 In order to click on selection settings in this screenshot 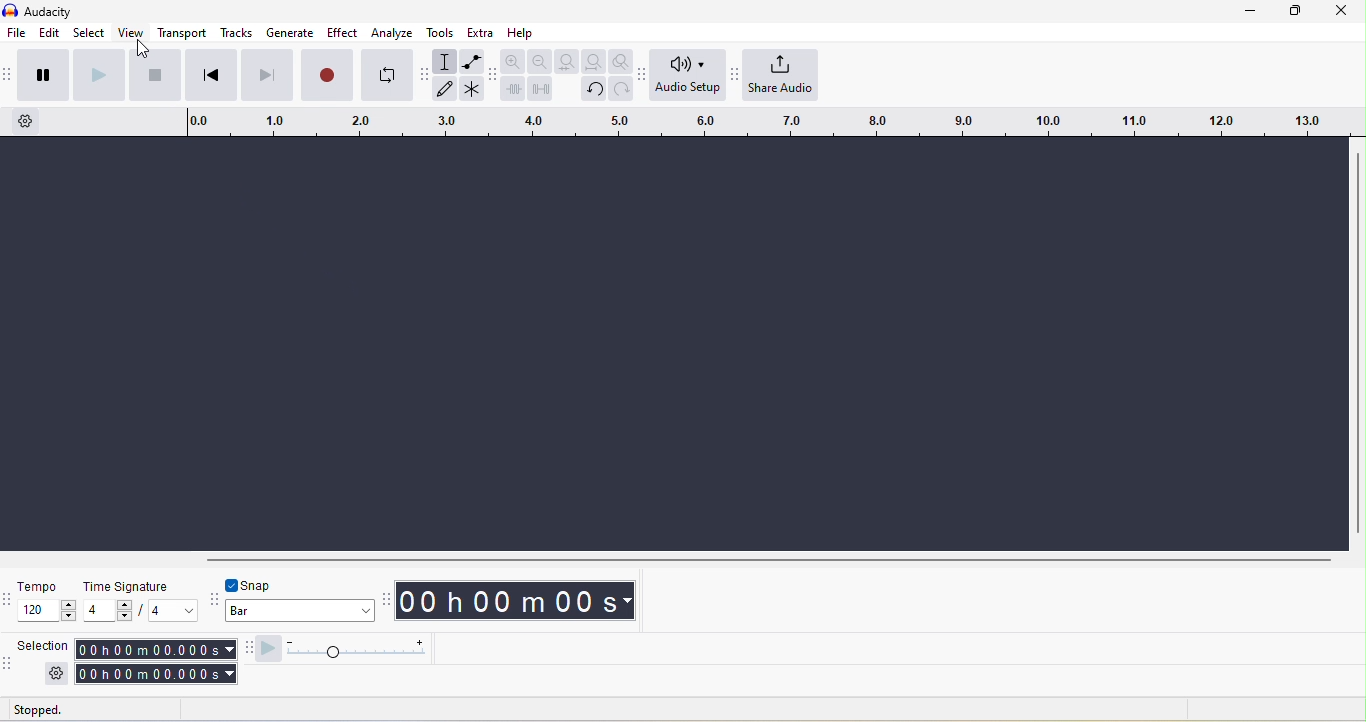, I will do `click(57, 674)`.